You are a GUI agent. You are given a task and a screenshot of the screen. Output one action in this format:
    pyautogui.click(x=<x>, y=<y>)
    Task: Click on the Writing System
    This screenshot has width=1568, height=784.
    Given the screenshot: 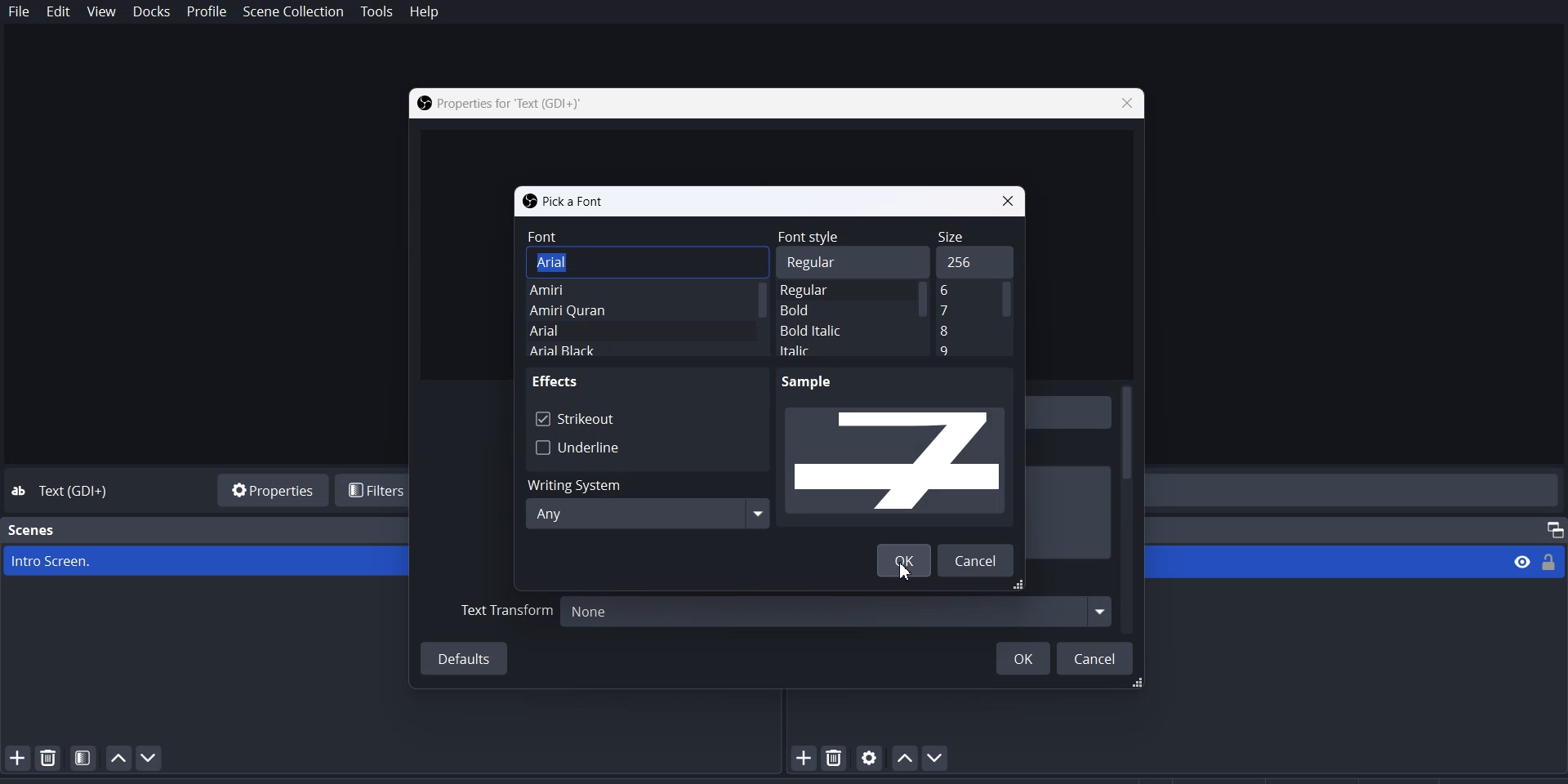 What is the action you would take?
    pyautogui.click(x=644, y=482)
    